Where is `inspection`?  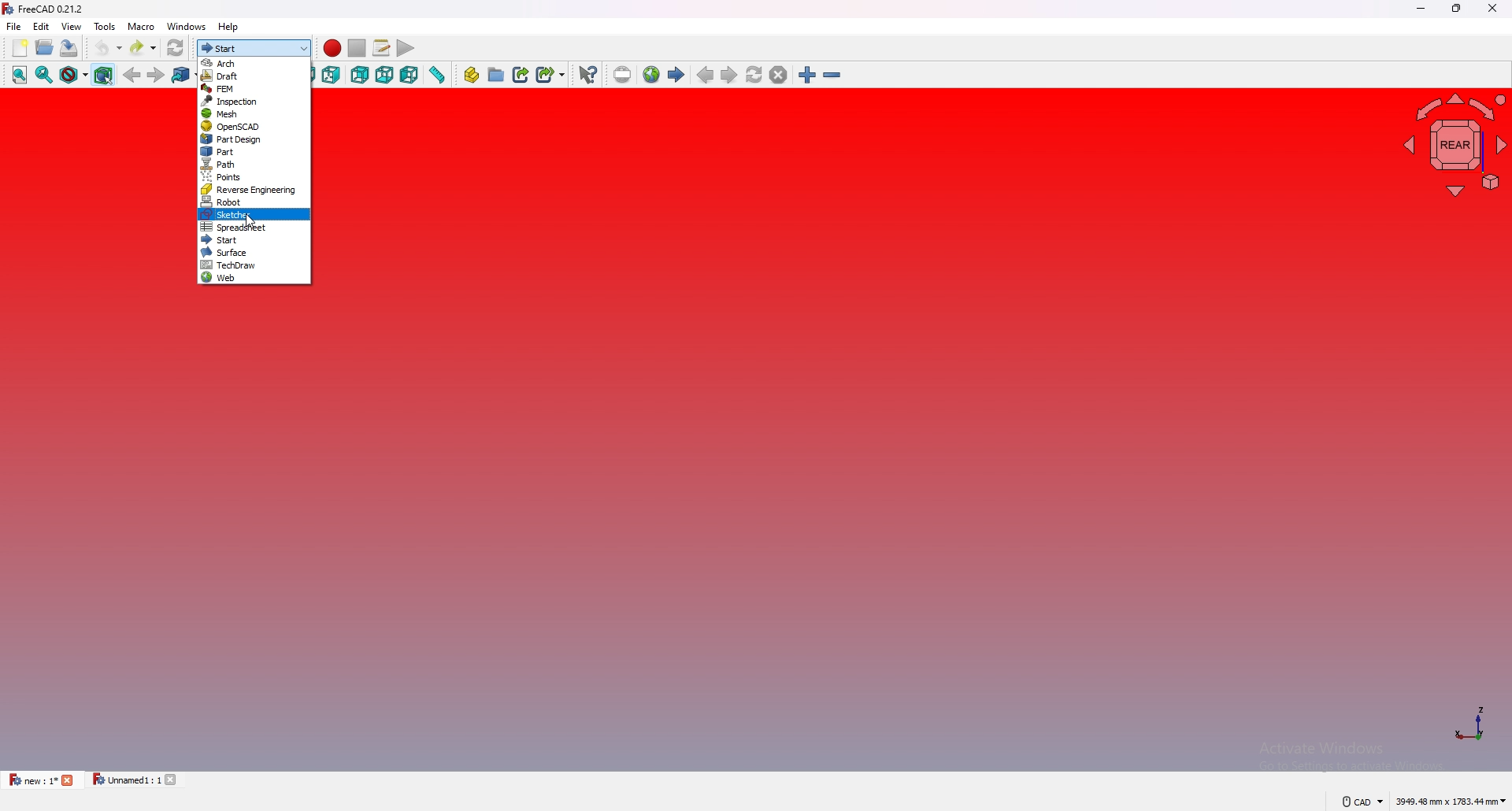 inspection is located at coordinates (254, 101).